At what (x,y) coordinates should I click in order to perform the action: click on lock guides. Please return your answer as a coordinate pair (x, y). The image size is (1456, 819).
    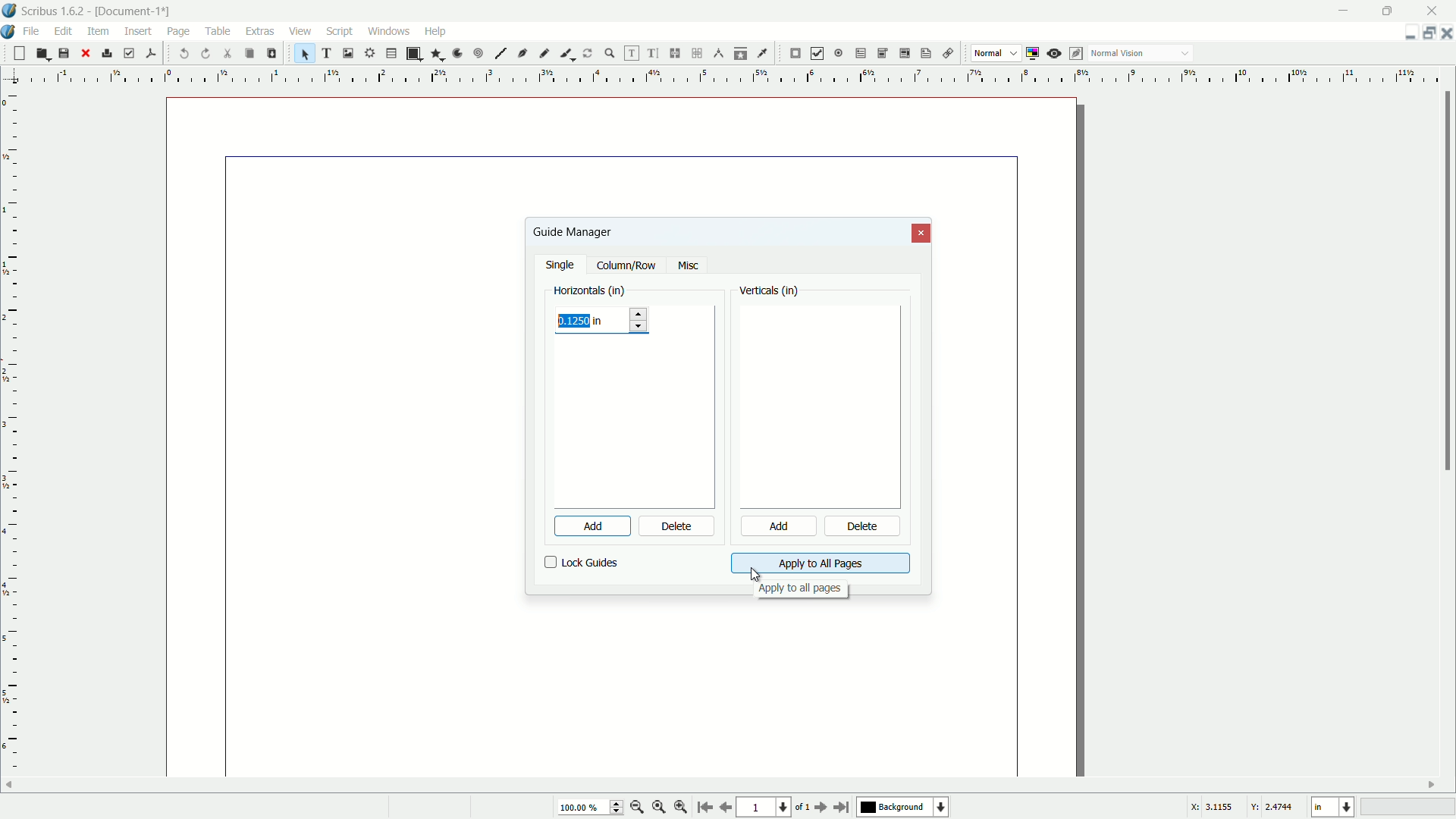
    Looking at the image, I should click on (582, 563).